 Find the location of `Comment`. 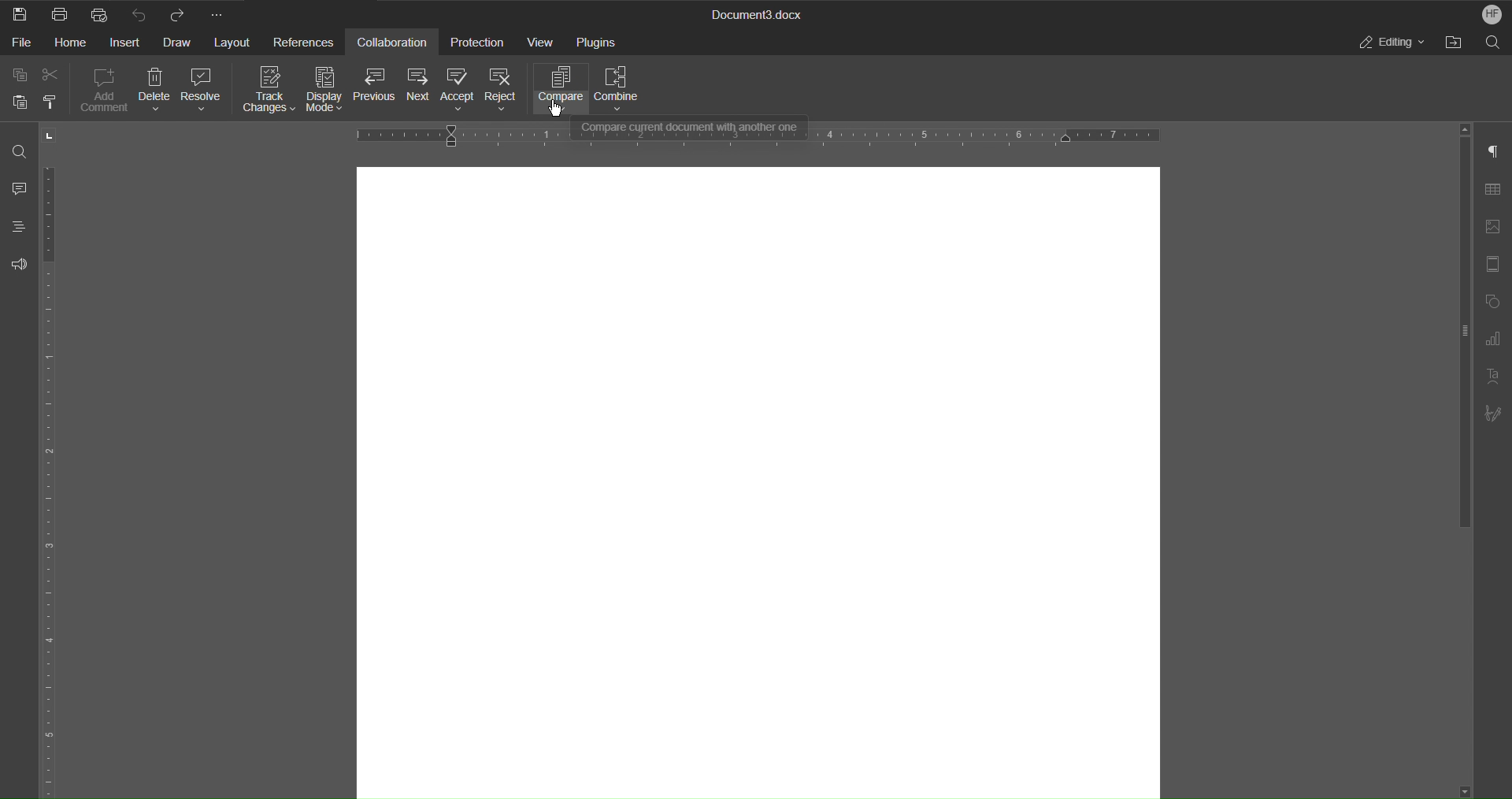

Comment is located at coordinates (19, 185).